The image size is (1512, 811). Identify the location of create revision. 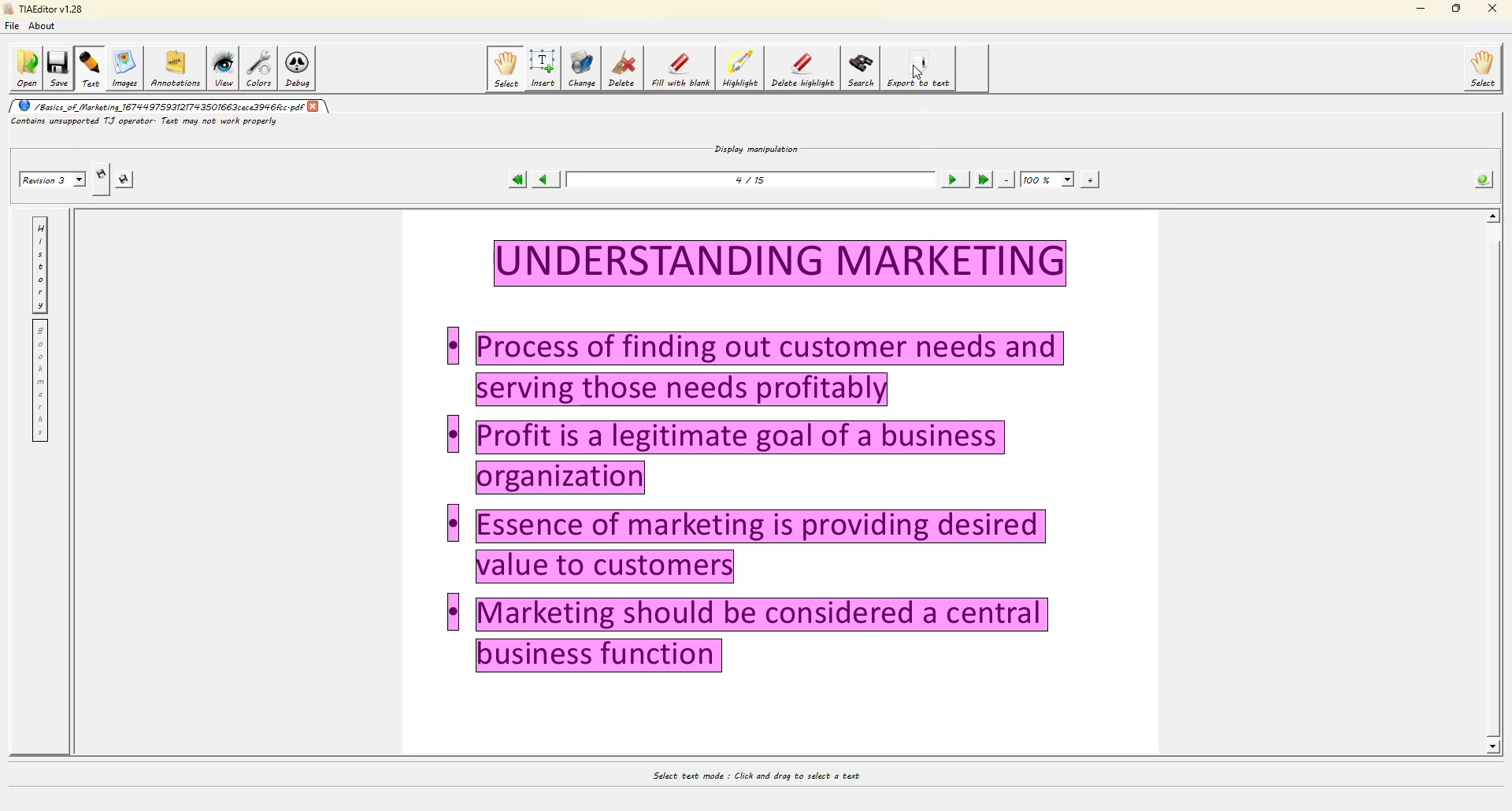
(104, 172).